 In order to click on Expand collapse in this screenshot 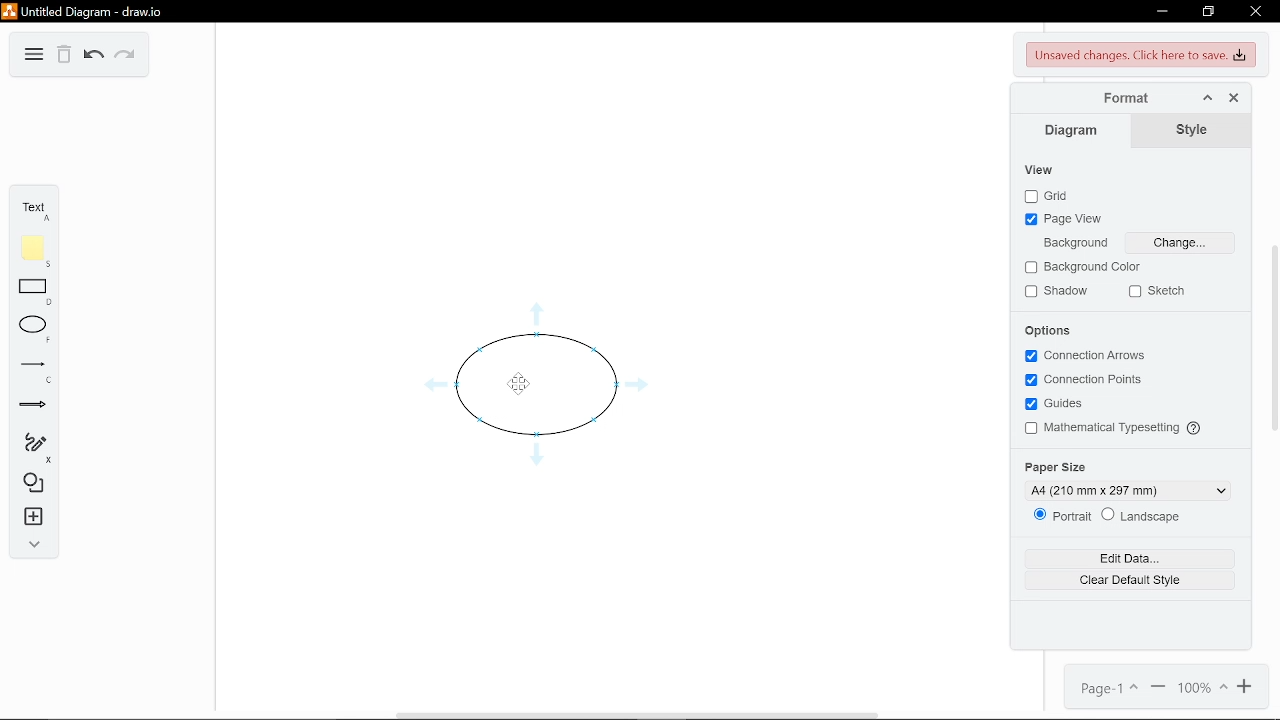, I will do `click(33, 545)`.